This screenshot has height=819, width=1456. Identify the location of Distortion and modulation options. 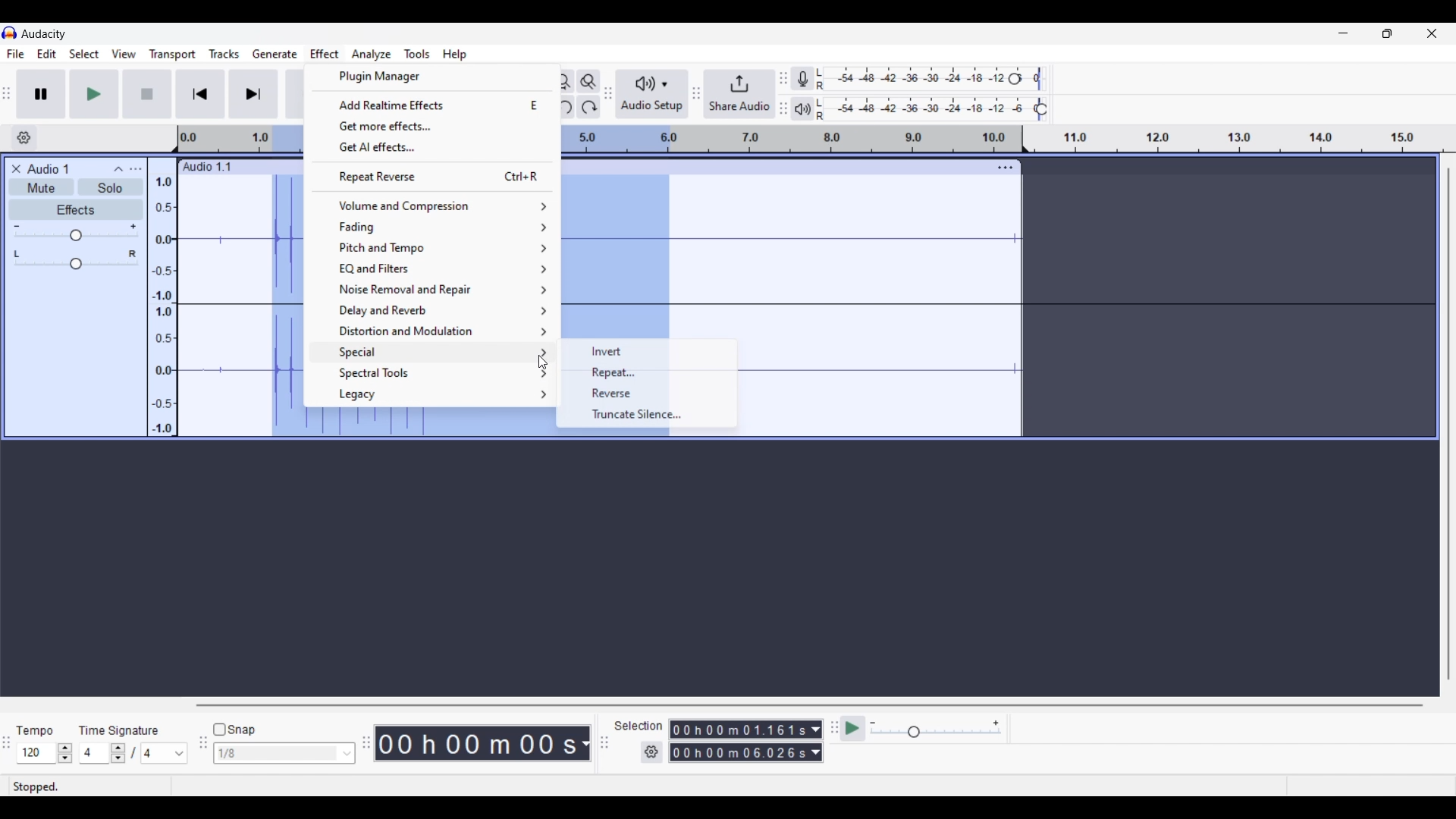
(431, 331).